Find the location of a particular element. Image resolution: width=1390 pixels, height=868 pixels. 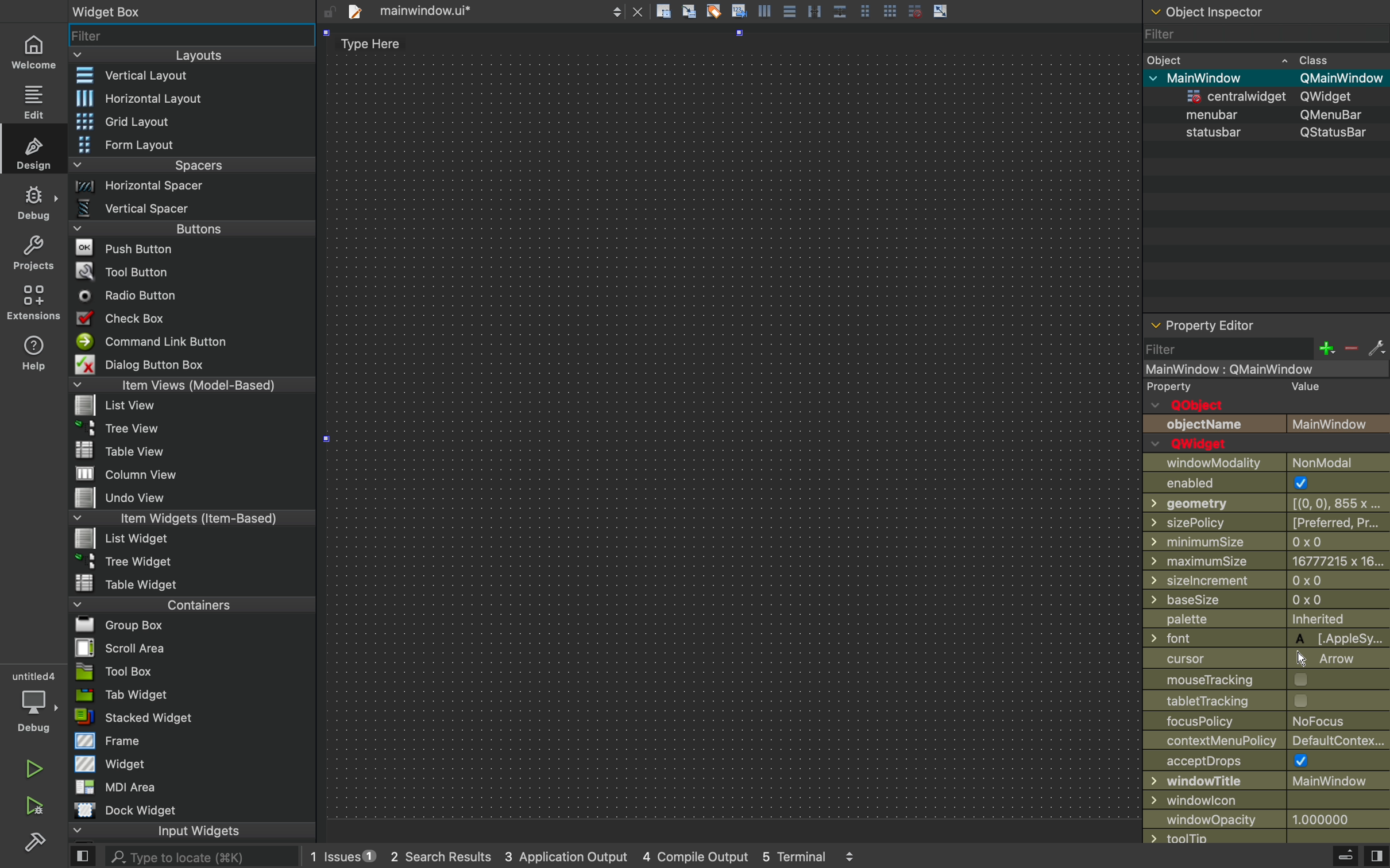

widjget is located at coordinates (1275, 96).